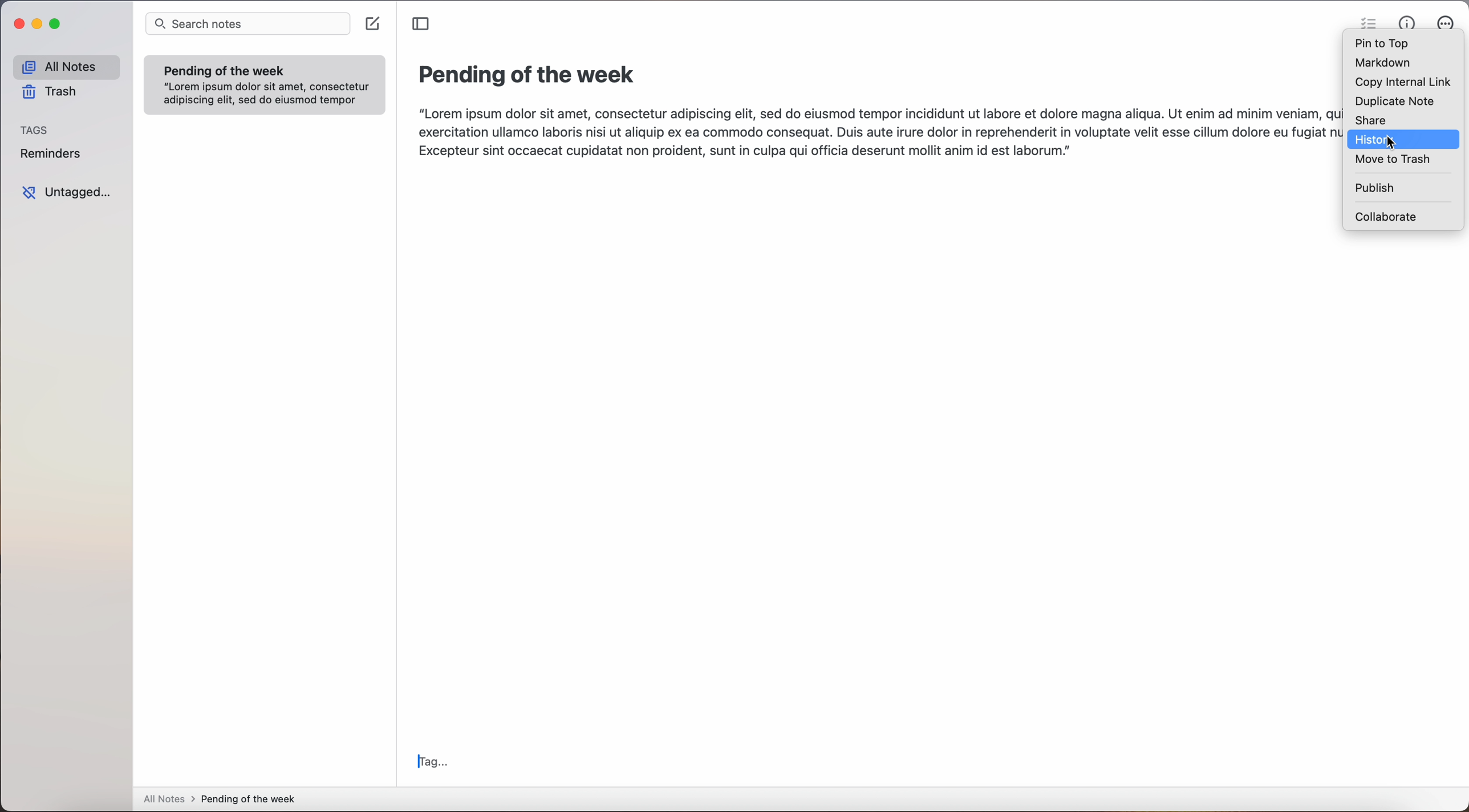 The image size is (1469, 812). Describe the element at coordinates (48, 92) in the screenshot. I see `trash` at that location.